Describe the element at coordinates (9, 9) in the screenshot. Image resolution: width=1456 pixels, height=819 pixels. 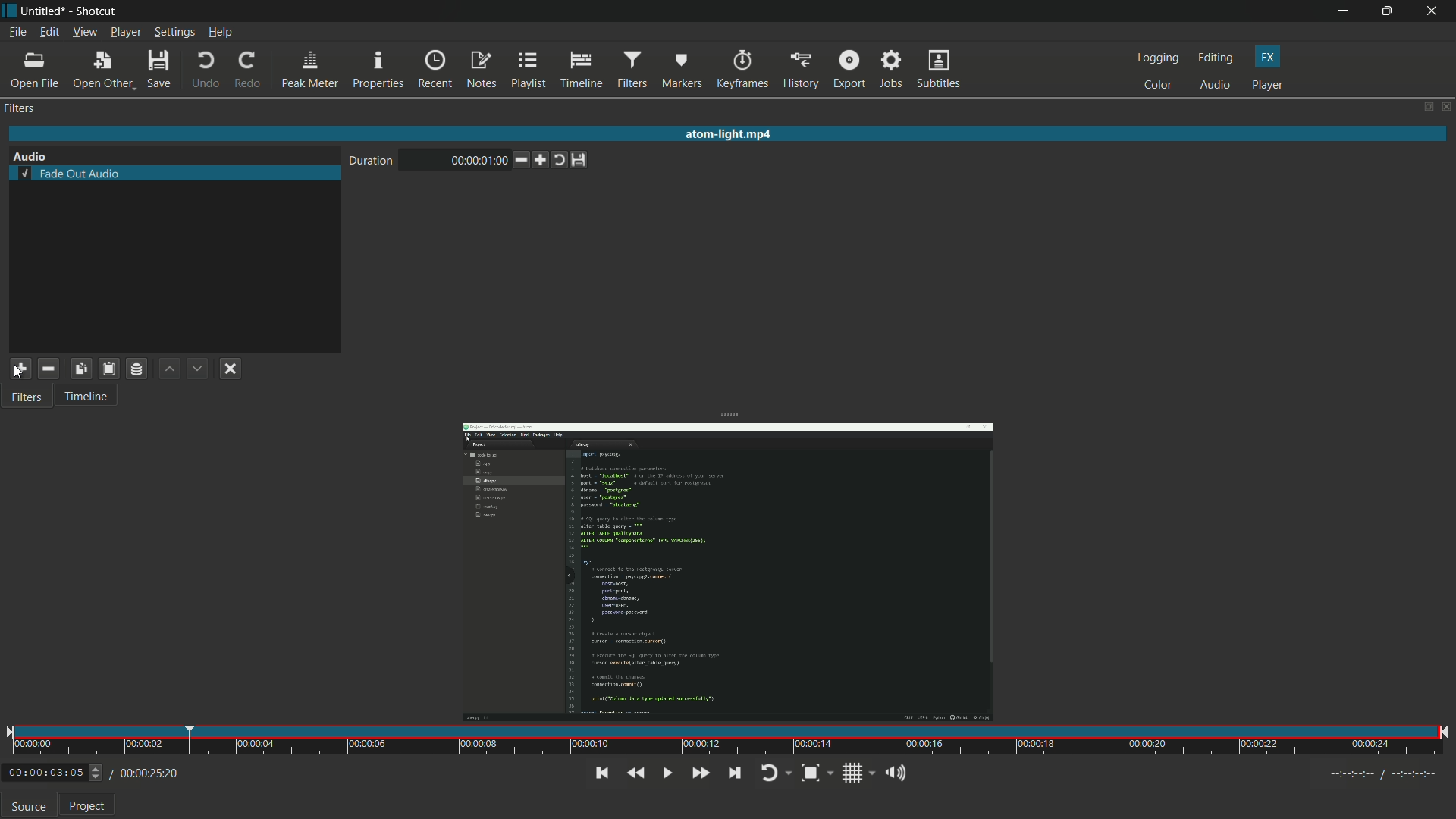
I see `app icon` at that location.